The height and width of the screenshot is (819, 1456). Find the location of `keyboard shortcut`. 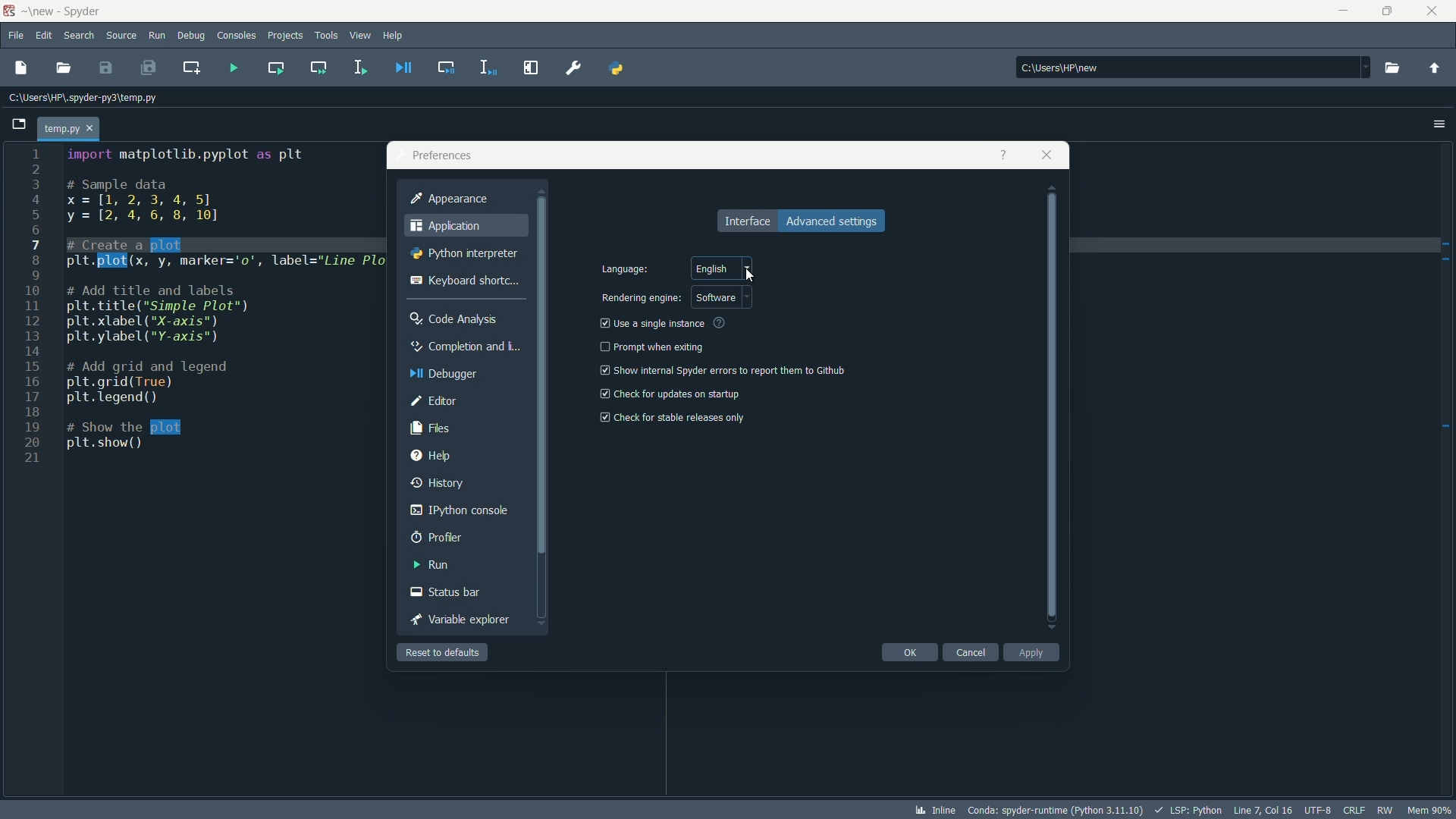

keyboard shortcut is located at coordinates (463, 279).